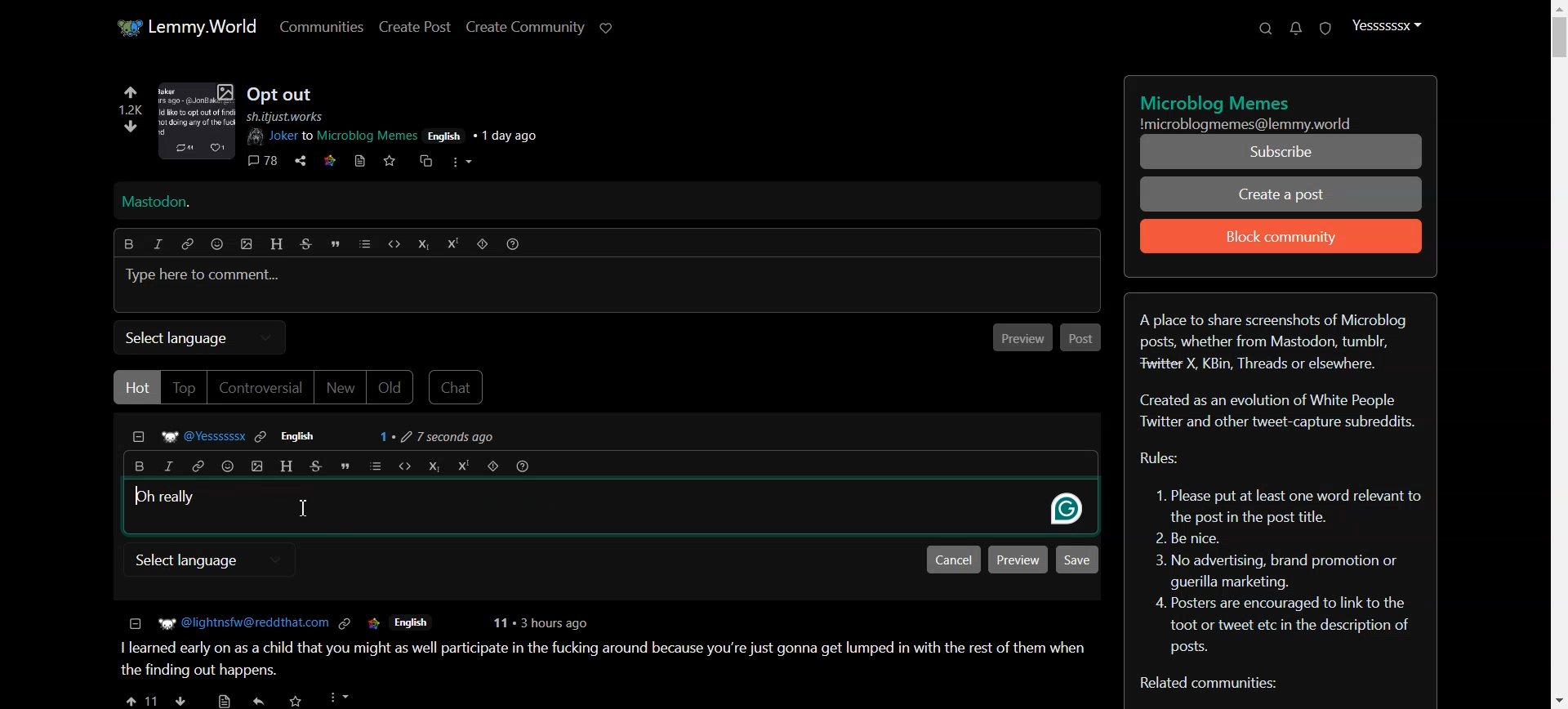  What do you see at coordinates (320, 26) in the screenshot?
I see `Communities` at bounding box center [320, 26].